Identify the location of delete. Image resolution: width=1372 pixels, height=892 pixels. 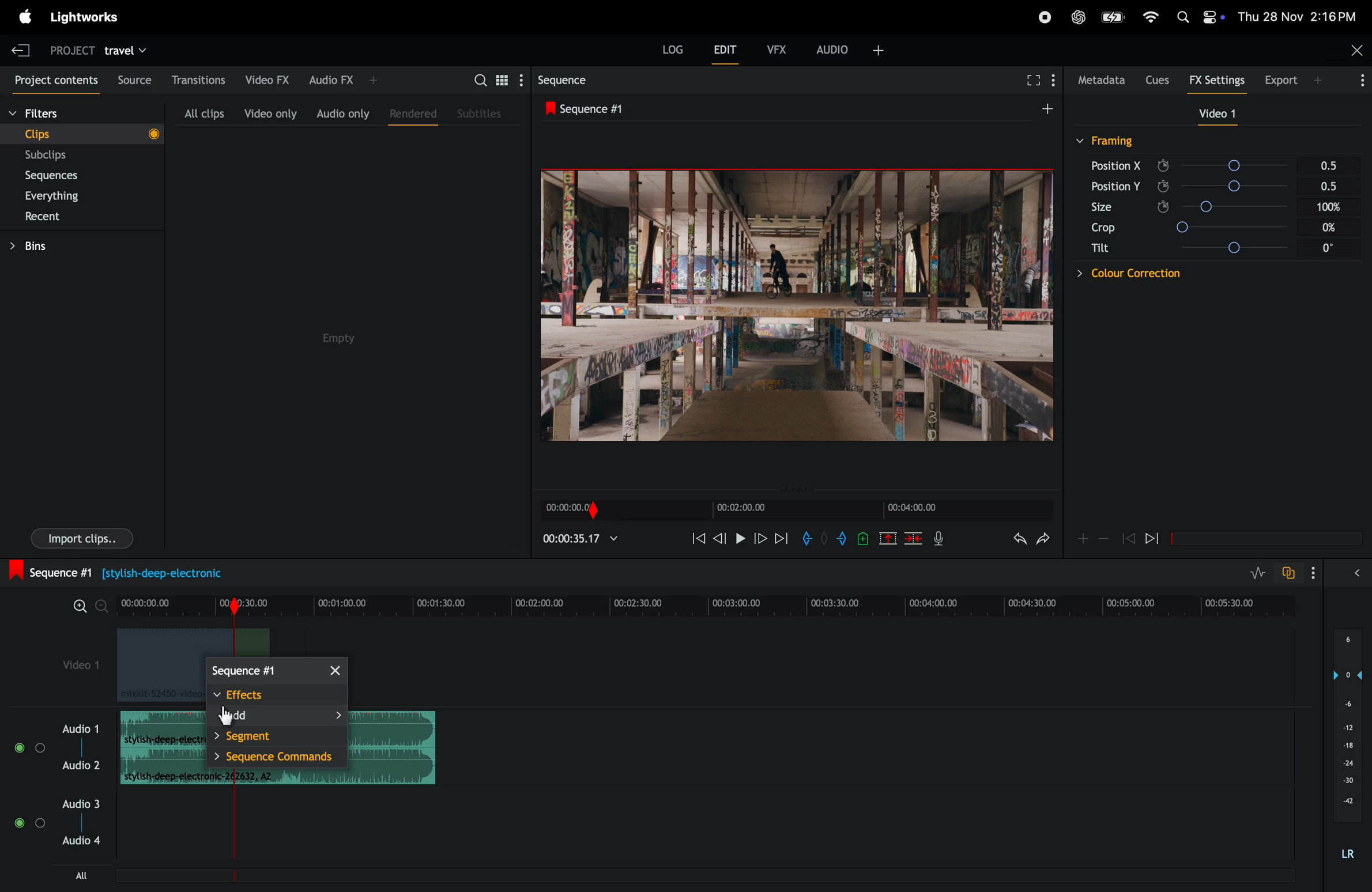
(914, 539).